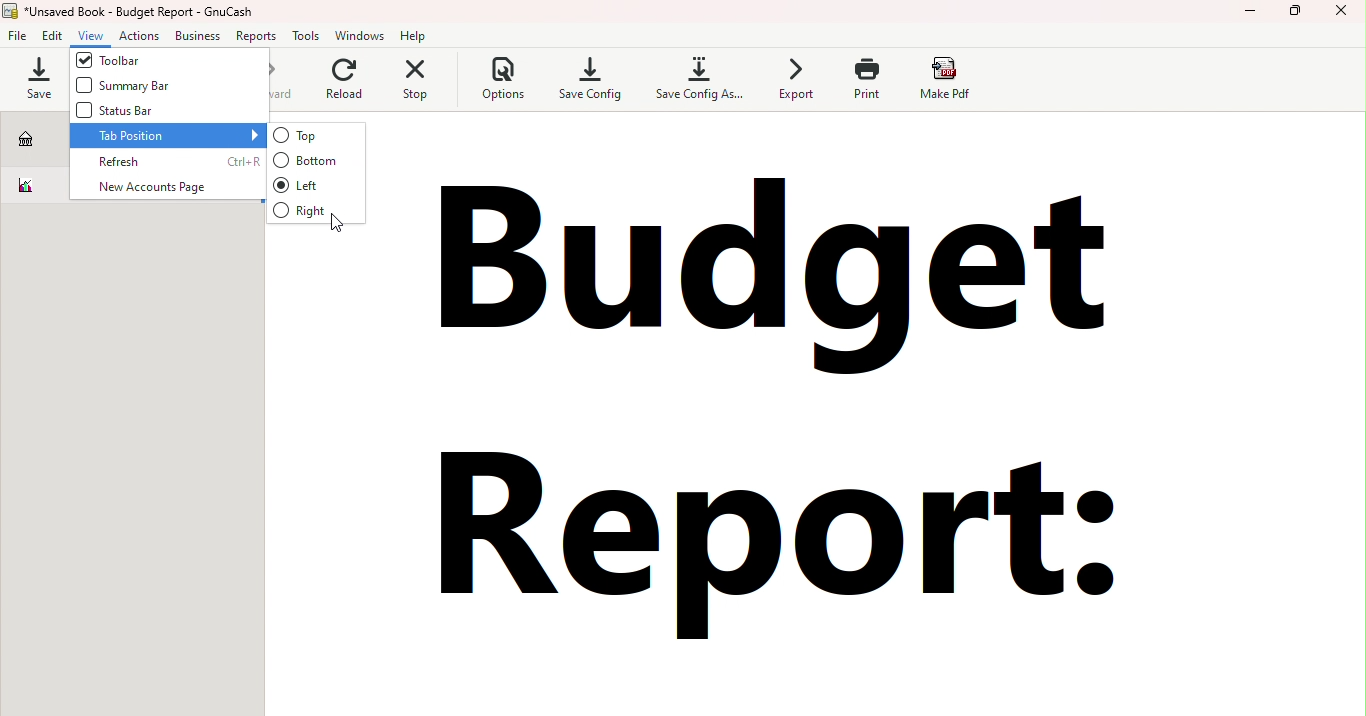  I want to click on Save, so click(35, 78).